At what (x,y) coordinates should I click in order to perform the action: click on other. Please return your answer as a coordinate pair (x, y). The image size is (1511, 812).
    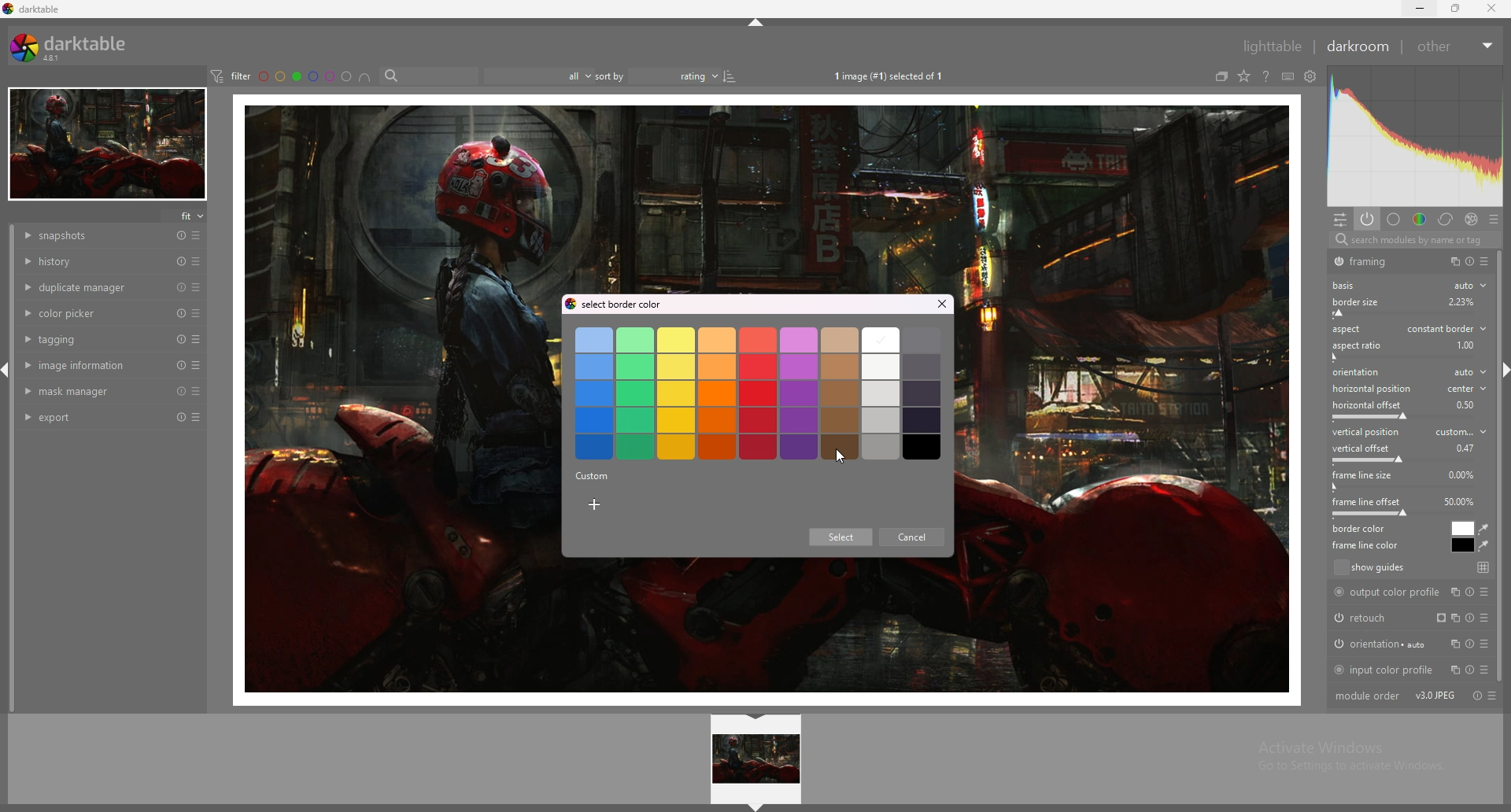
    Looking at the image, I should click on (1456, 46).